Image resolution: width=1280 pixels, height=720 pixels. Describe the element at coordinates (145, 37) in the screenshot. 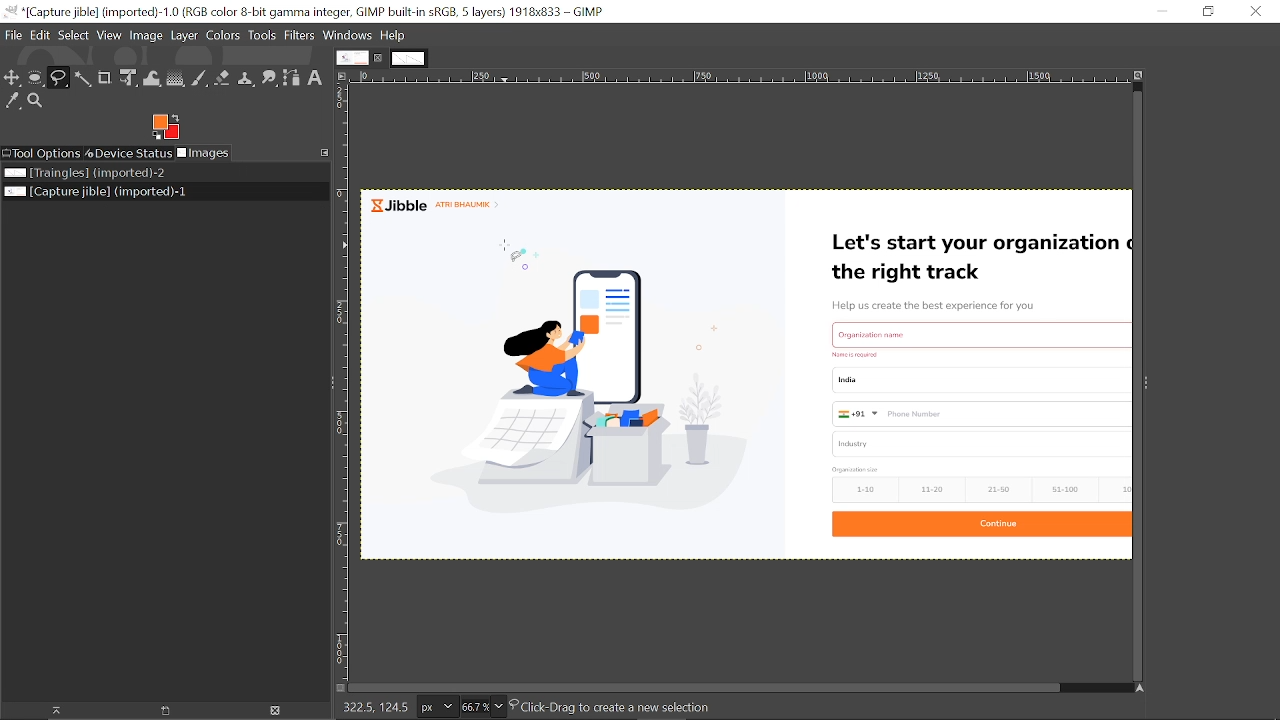

I see `Image` at that location.